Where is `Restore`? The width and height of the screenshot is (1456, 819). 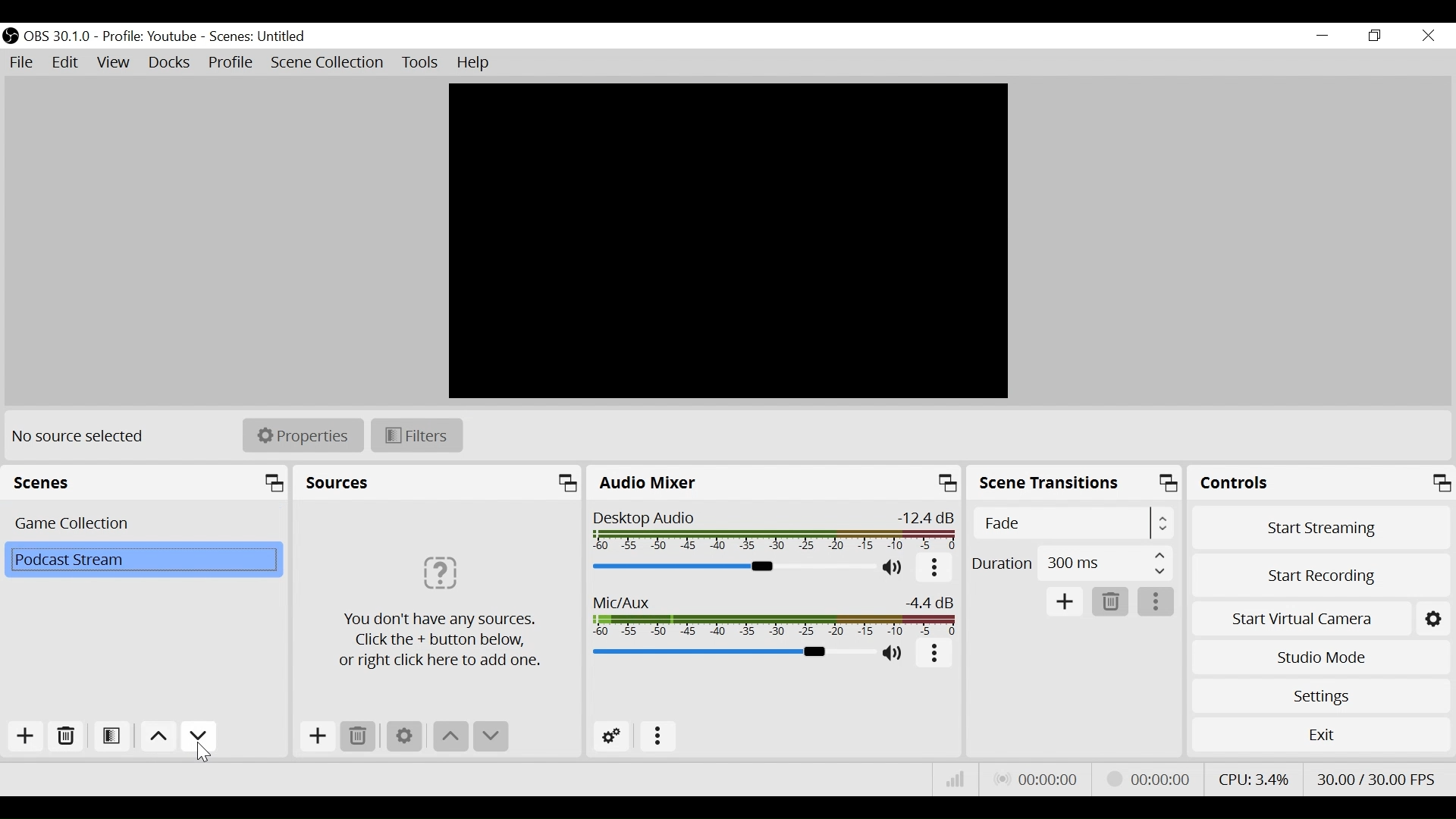 Restore is located at coordinates (1373, 36).